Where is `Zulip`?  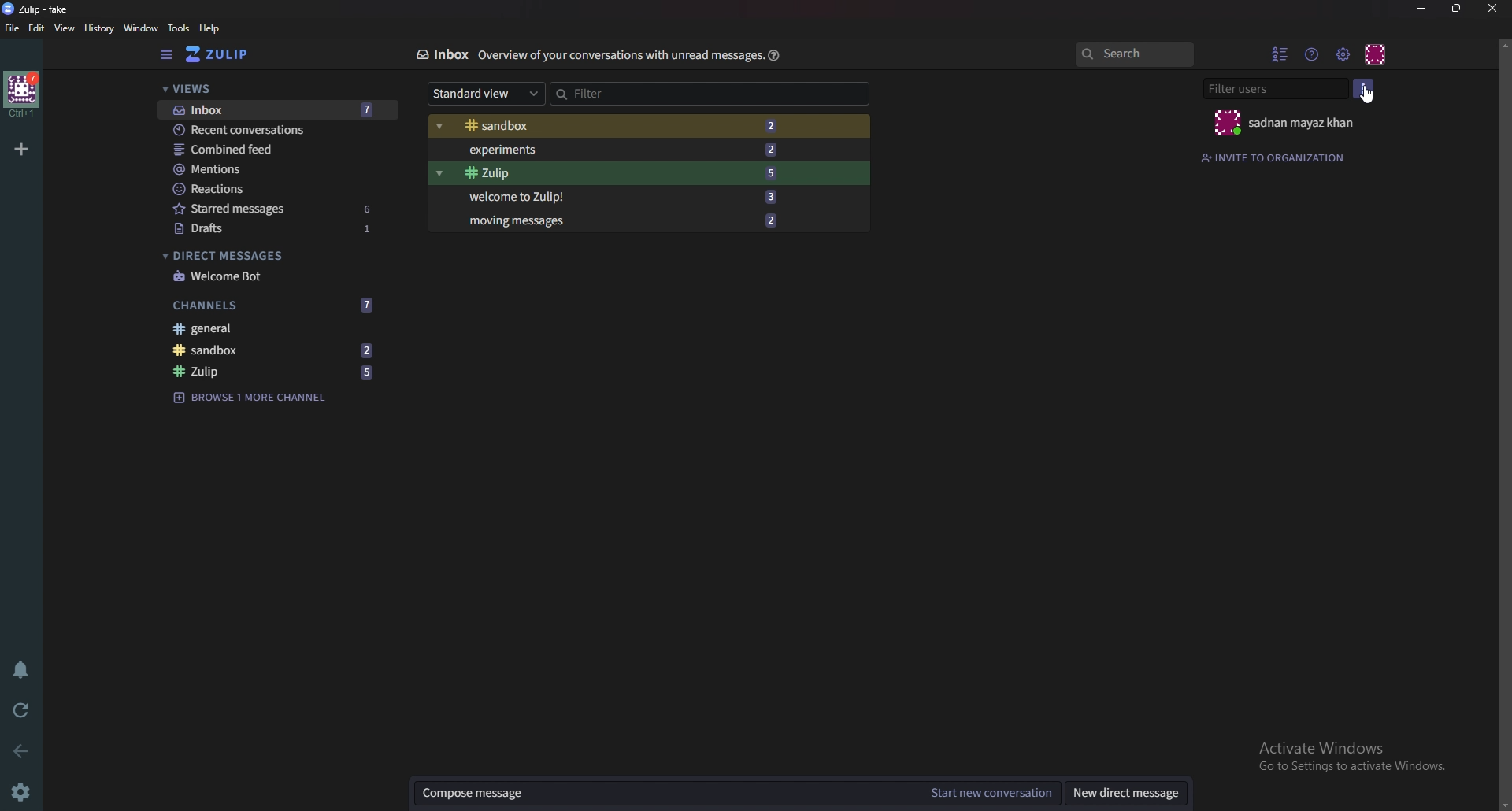
Zulip is located at coordinates (630, 172).